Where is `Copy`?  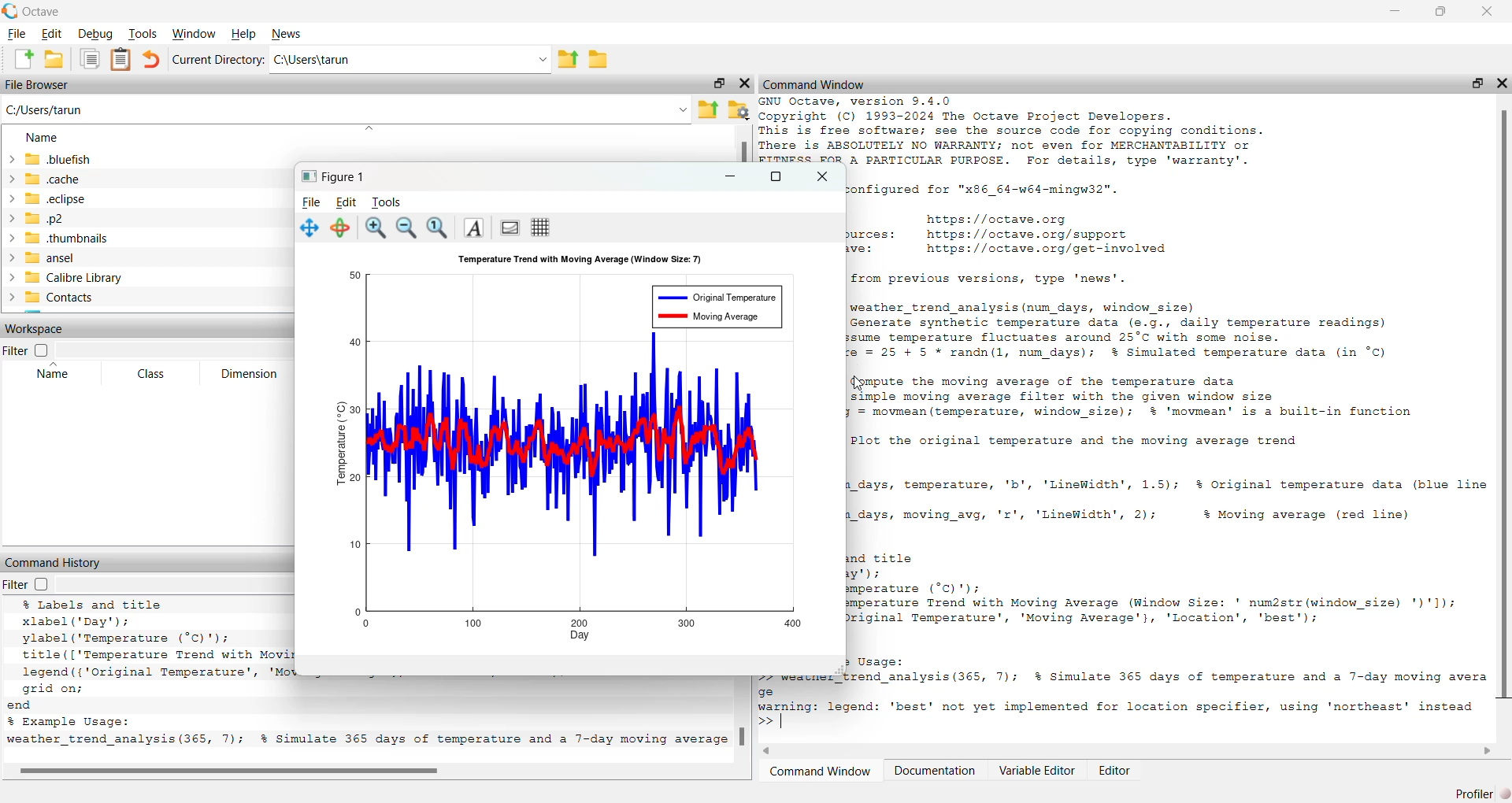 Copy is located at coordinates (89, 58).